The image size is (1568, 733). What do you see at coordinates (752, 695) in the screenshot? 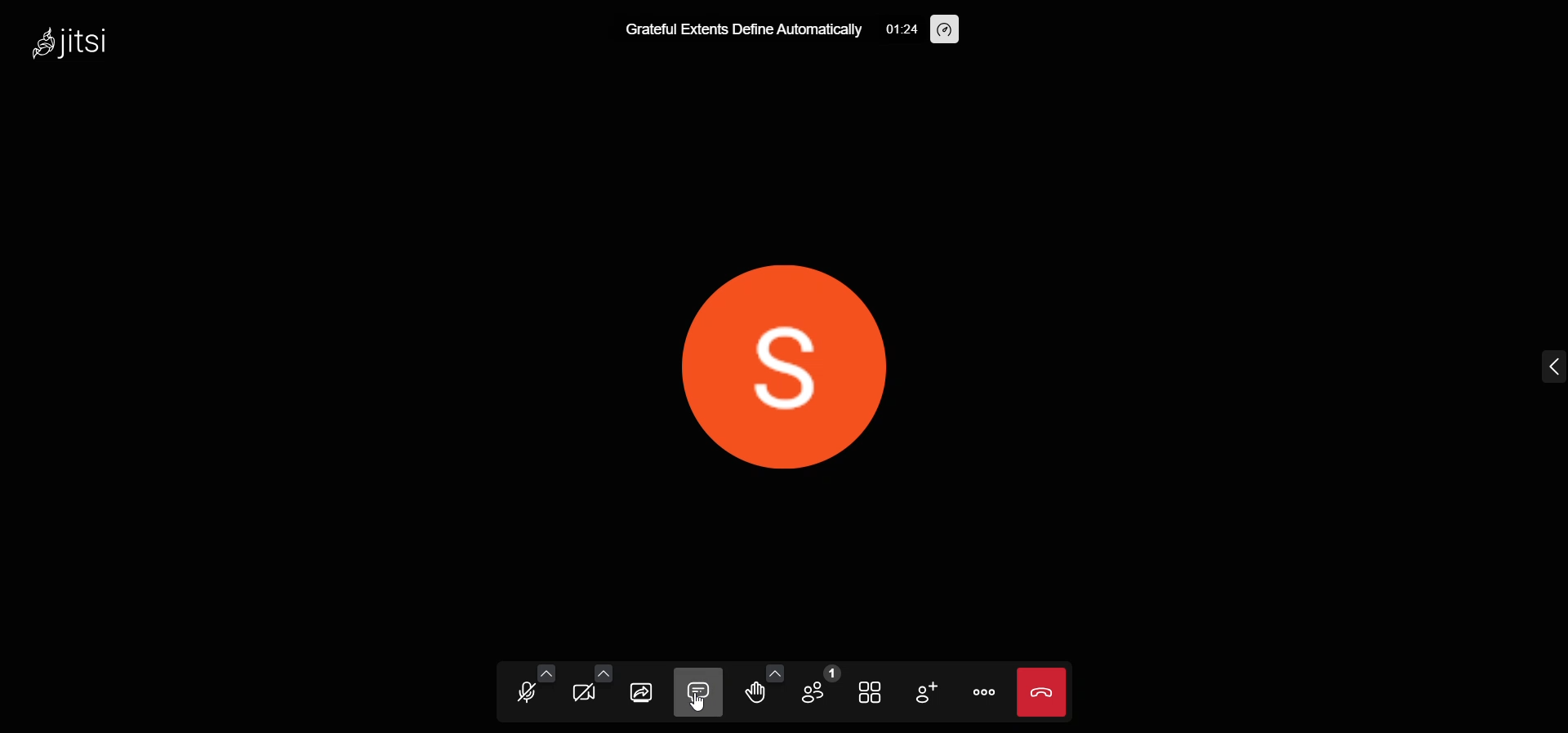
I see `raise hand` at bounding box center [752, 695].